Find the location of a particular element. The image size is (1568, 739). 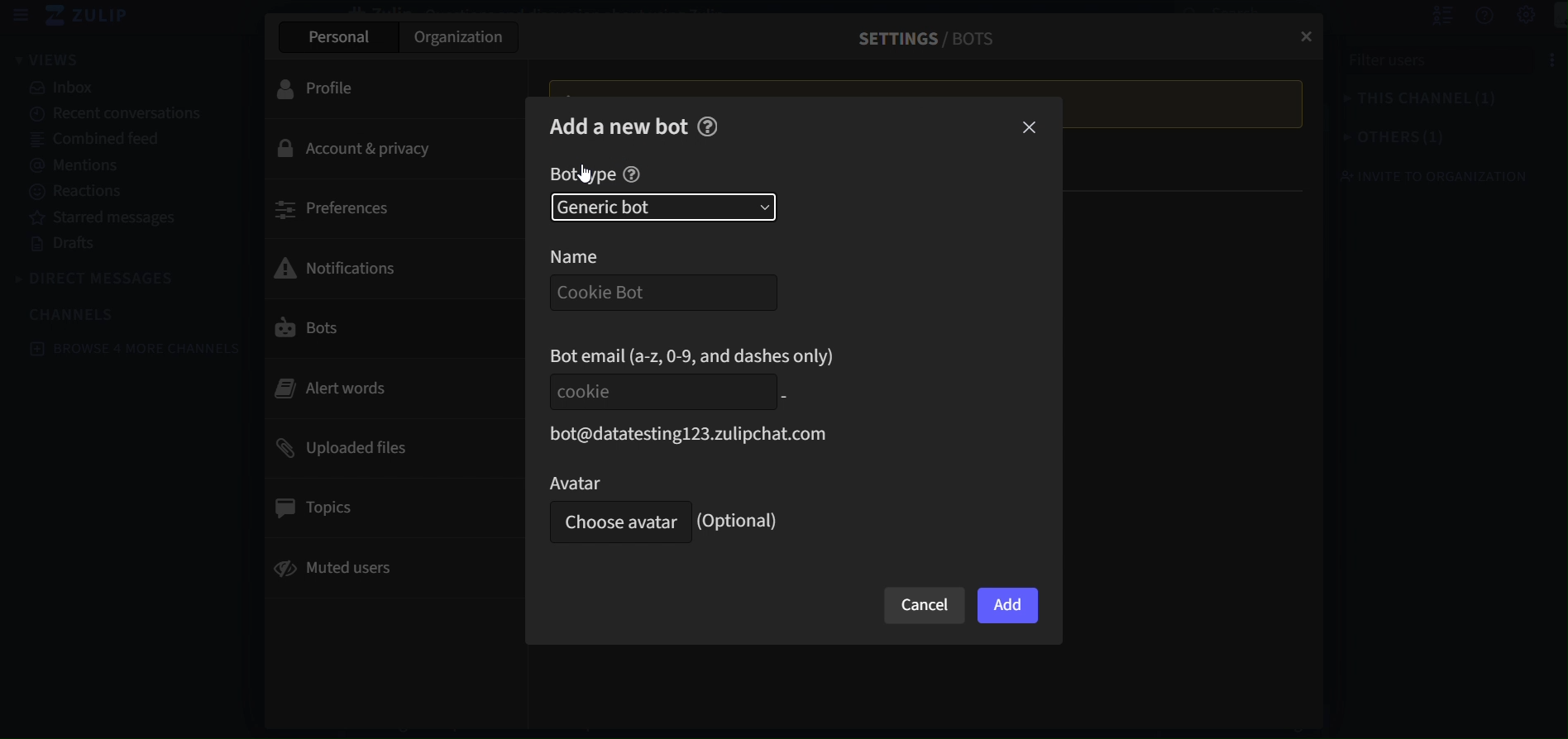

invite to organization is located at coordinates (1419, 176).